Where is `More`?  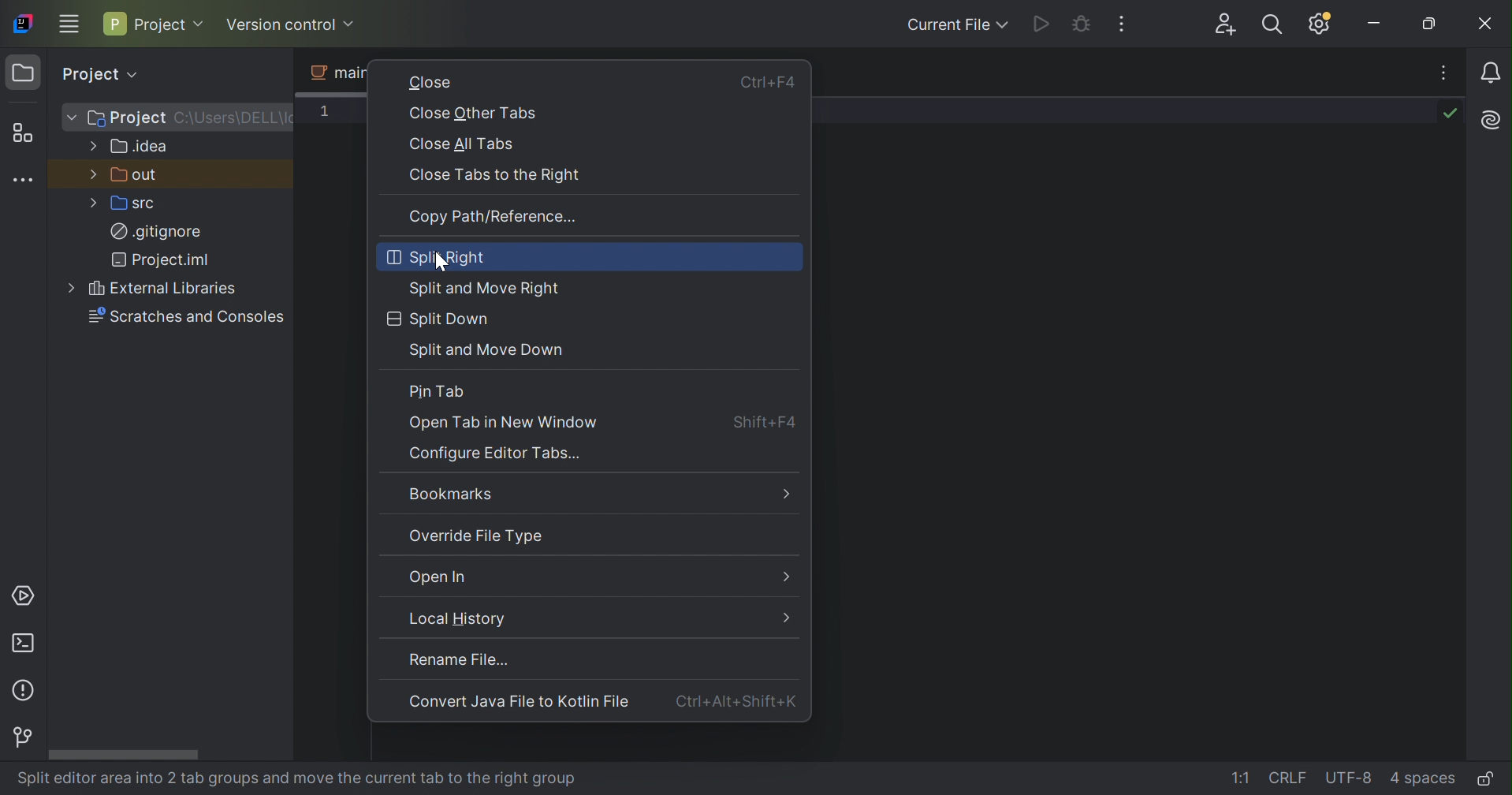 More is located at coordinates (94, 173).